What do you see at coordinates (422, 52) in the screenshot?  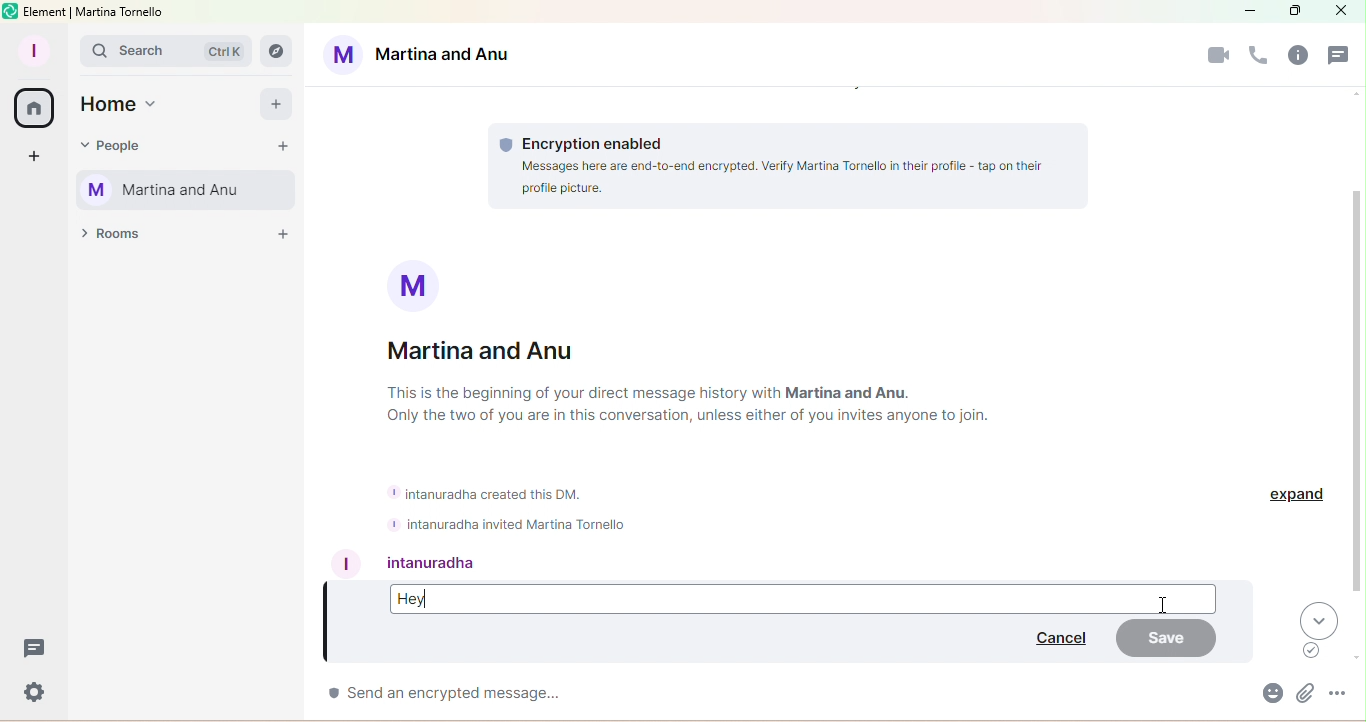 I see `Martina and Anu` at bounding box center [422, 52].